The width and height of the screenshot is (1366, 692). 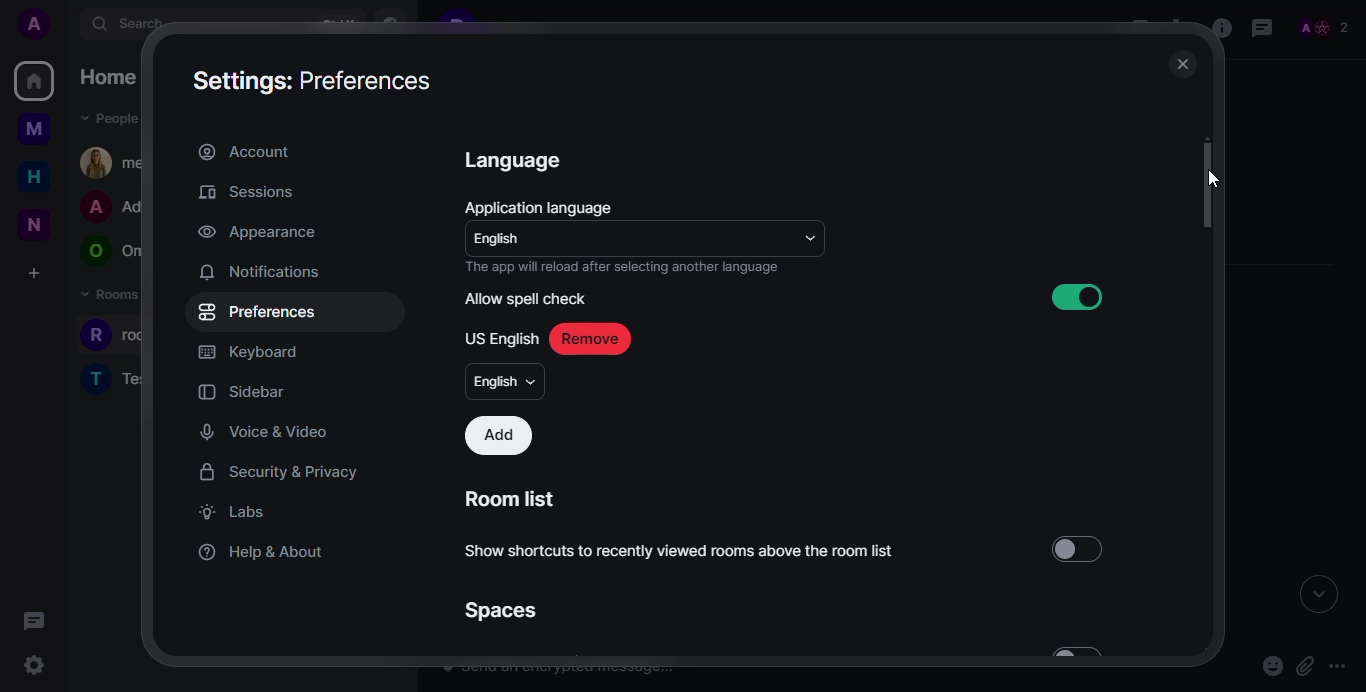 I want to click on cursor, so click(x=46, y=670).